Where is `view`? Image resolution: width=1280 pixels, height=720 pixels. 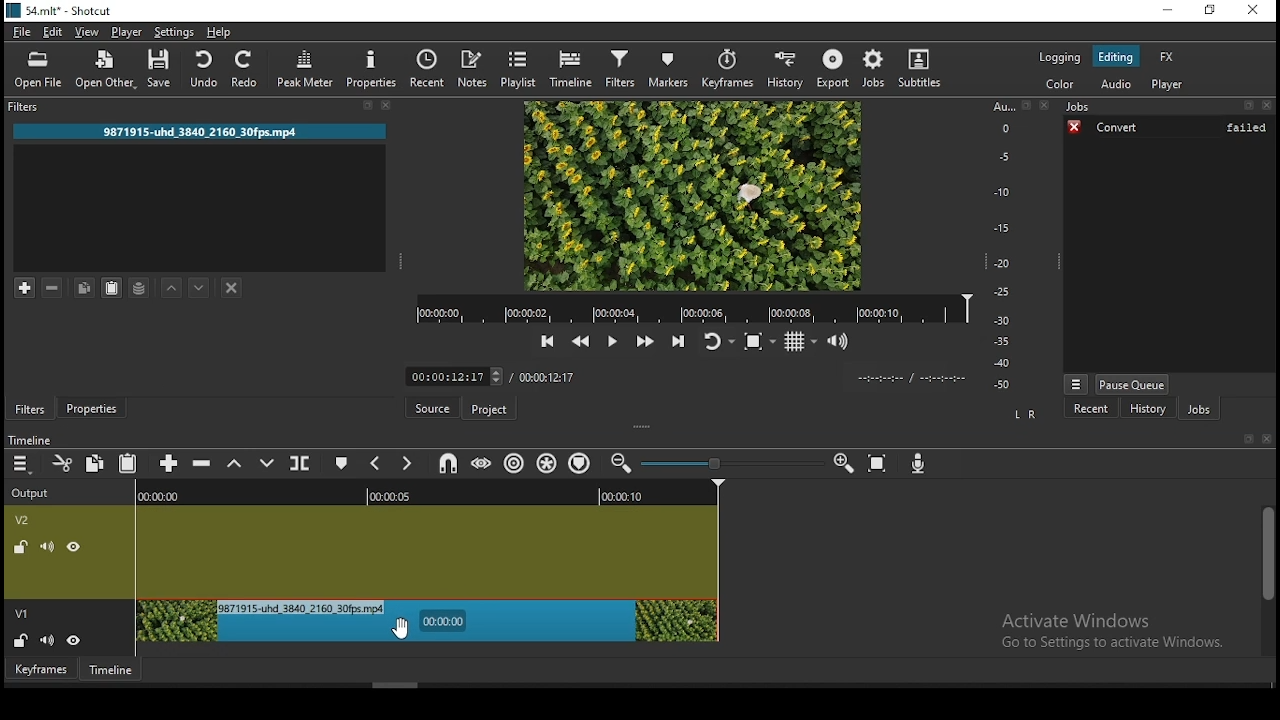 view is located at coordinates (87, 33).